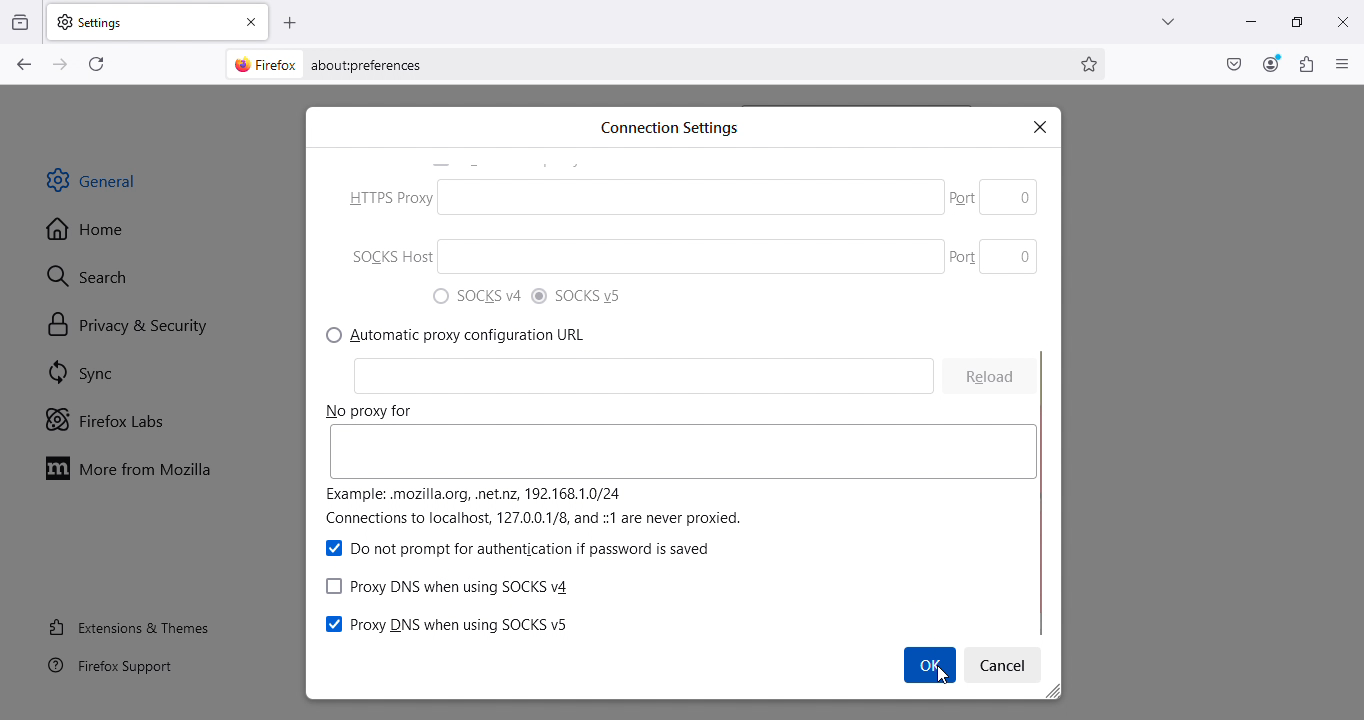 Image resolution: width=1364 pixels, height=720 pixels. I want to click on View recent browsing across windows and devices, so click(22, 20).